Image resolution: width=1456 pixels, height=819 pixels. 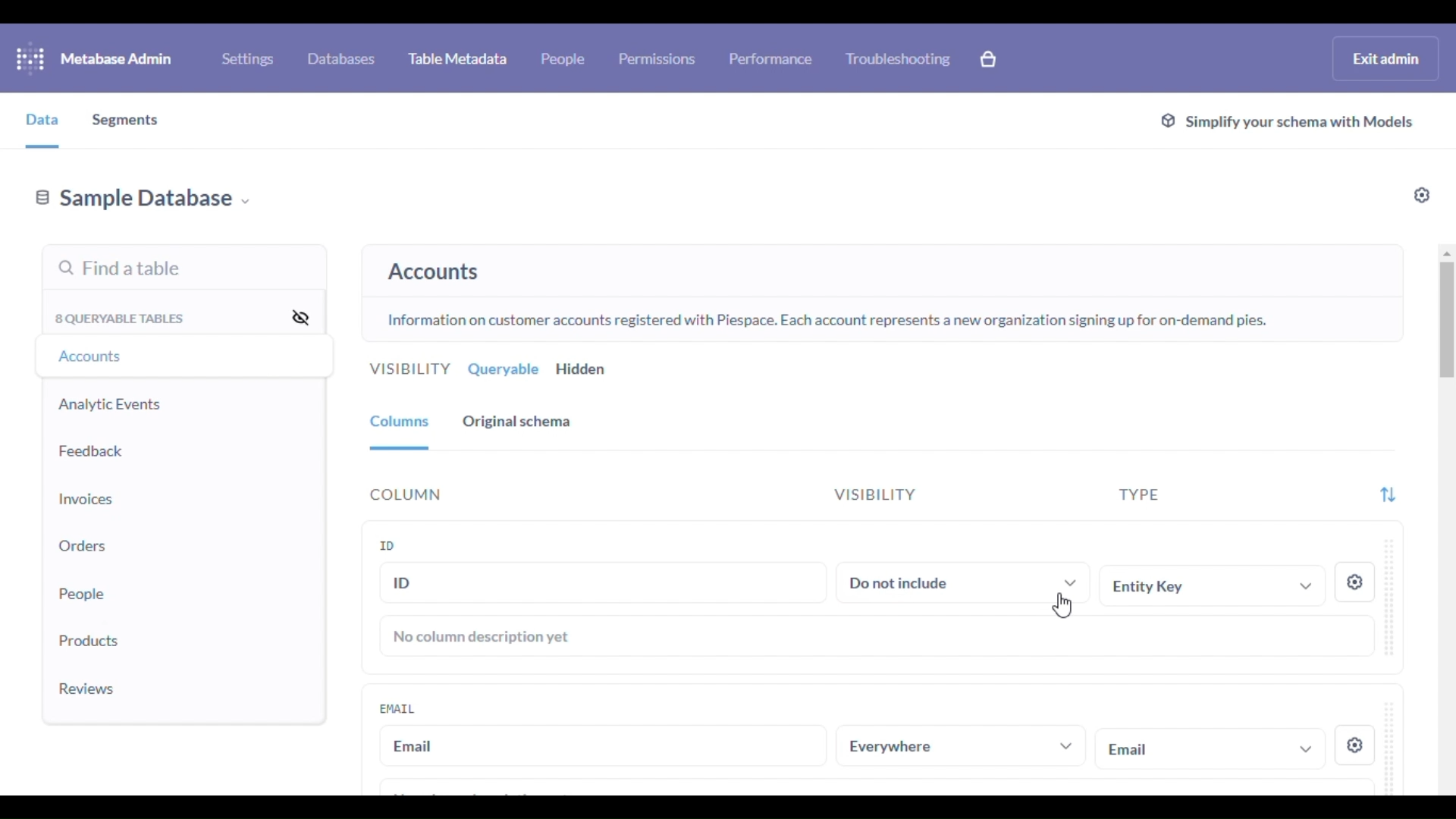 I want to click on filter, so click(x=1388, y=496).